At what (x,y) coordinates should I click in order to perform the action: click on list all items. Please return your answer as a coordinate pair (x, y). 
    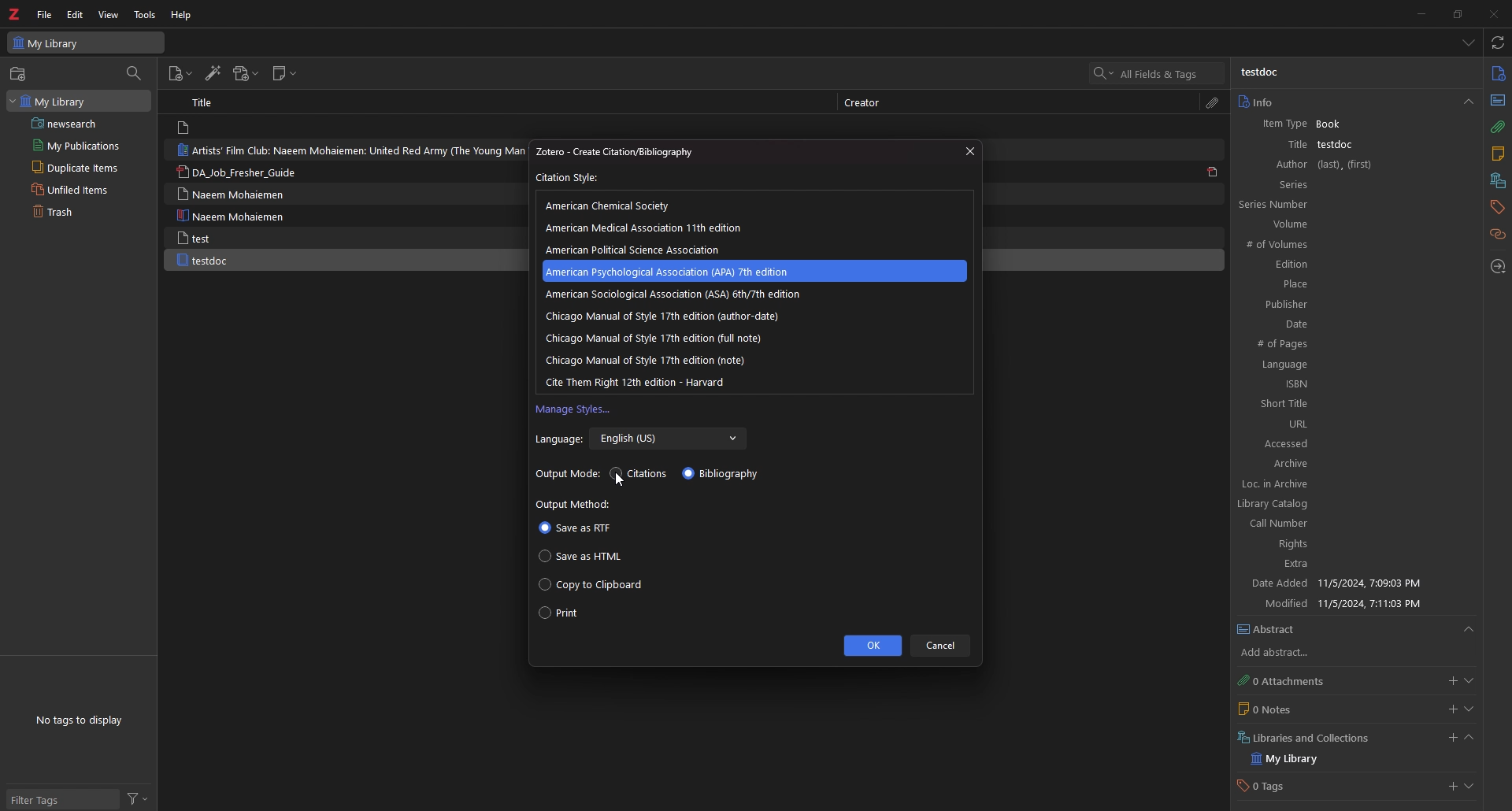
    Looking at the image, I should click on (1469, 43).